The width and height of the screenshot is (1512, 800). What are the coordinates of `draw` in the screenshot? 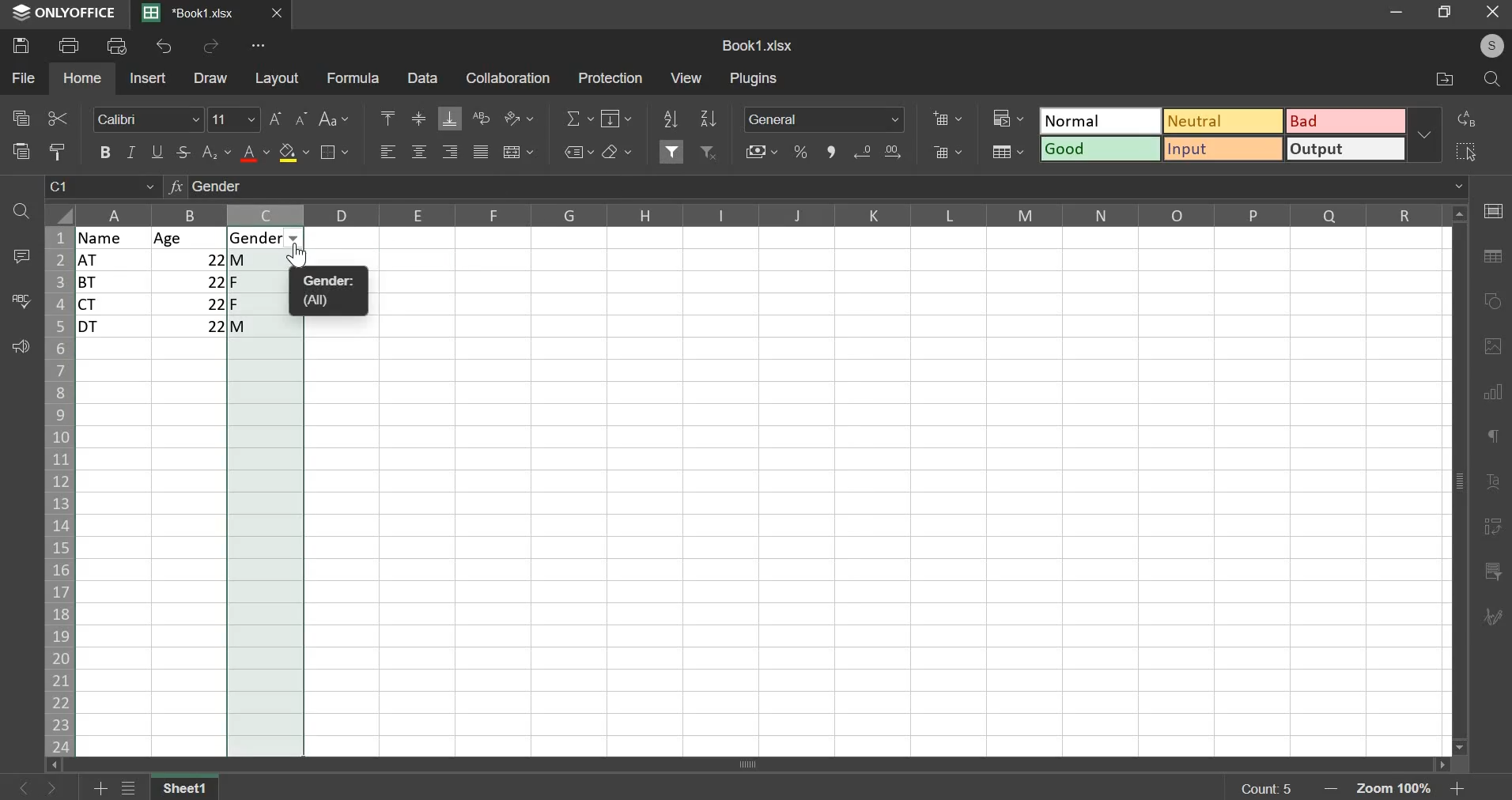 It's located at (212, 78).